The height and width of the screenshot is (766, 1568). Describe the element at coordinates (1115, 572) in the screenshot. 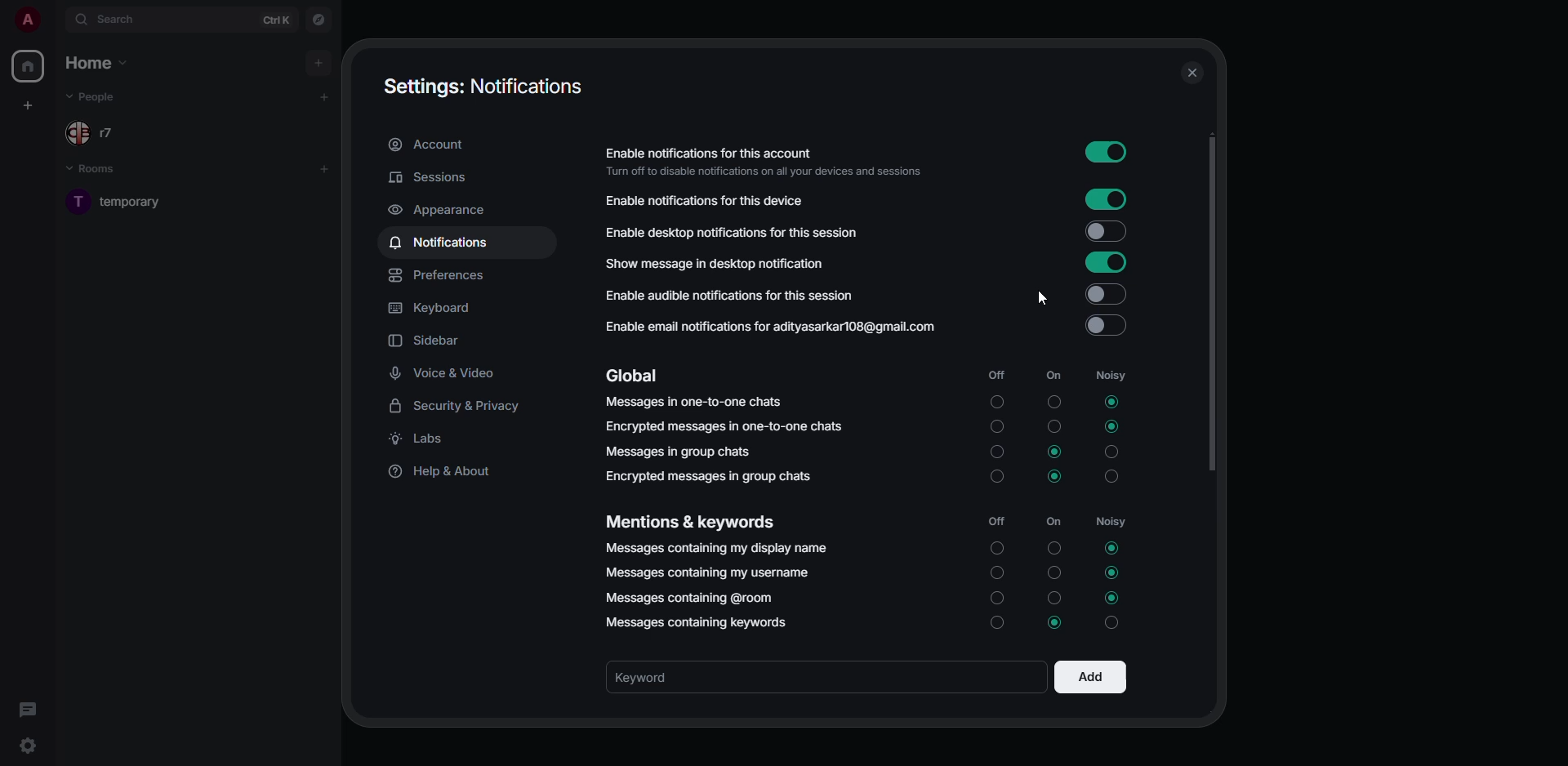

I see `selected` at that location.